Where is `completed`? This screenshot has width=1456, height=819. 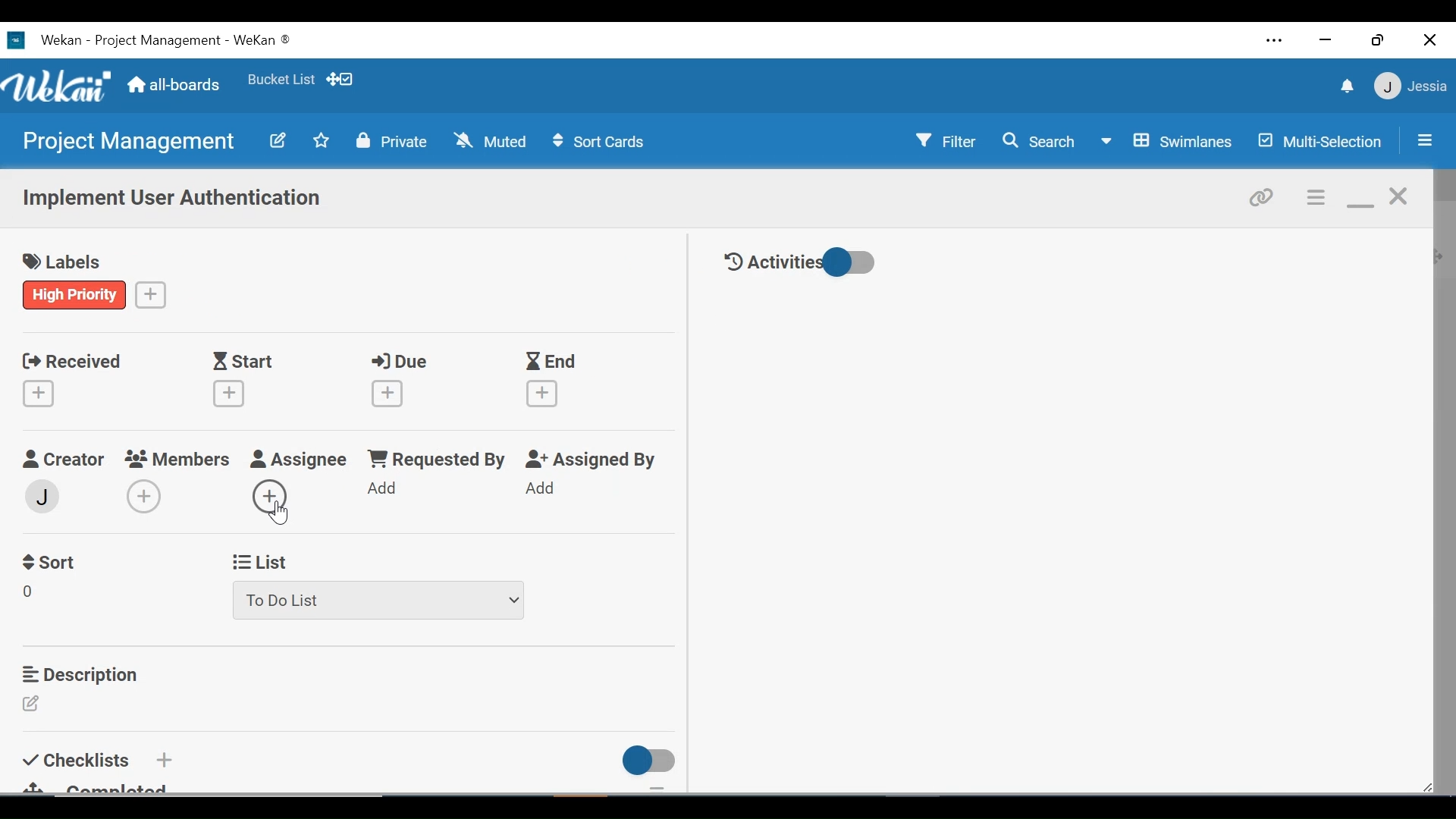
completed is located at coordinates (105, 786).